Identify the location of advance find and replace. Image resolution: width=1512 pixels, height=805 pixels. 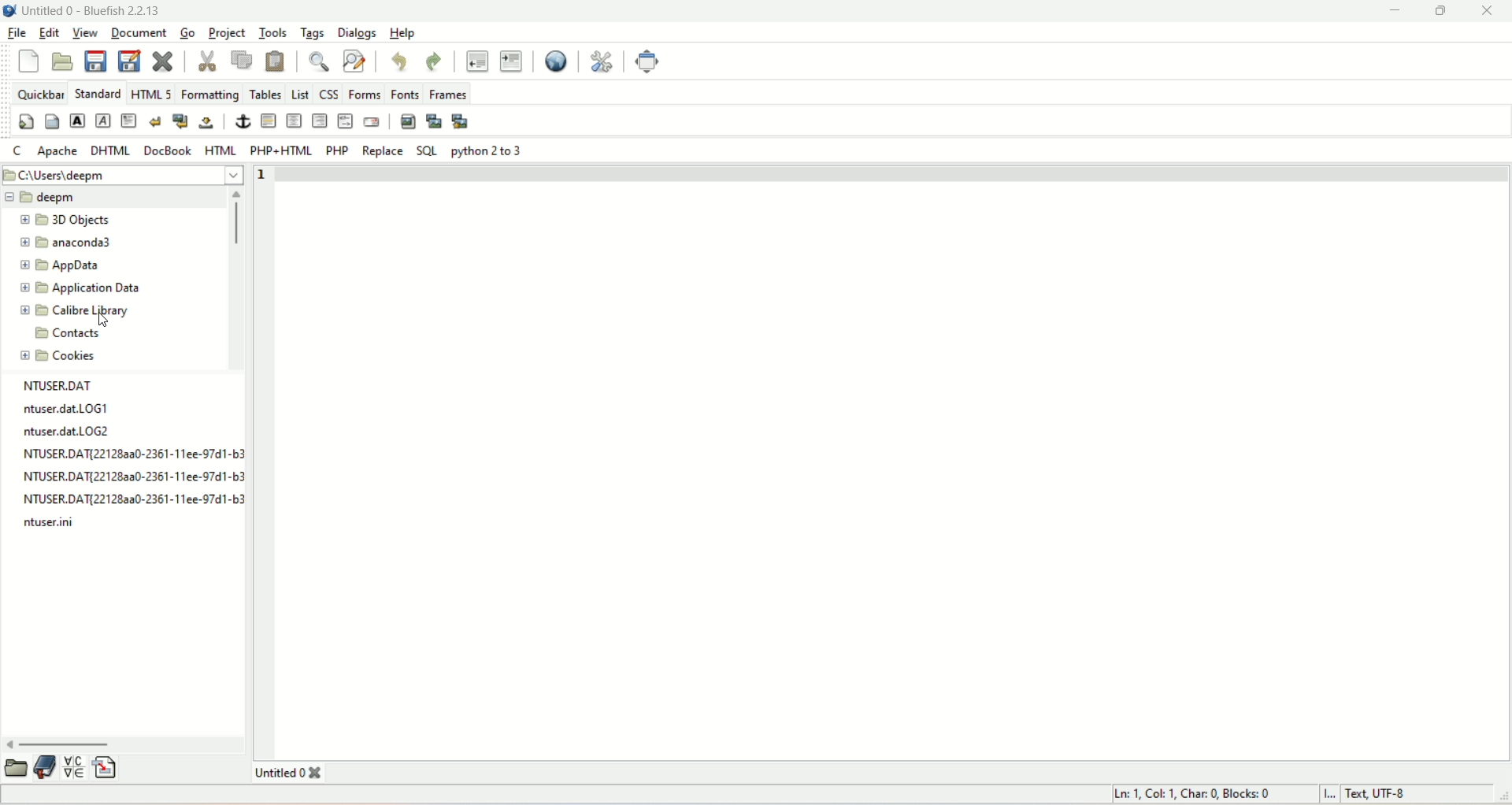
(355, 62).